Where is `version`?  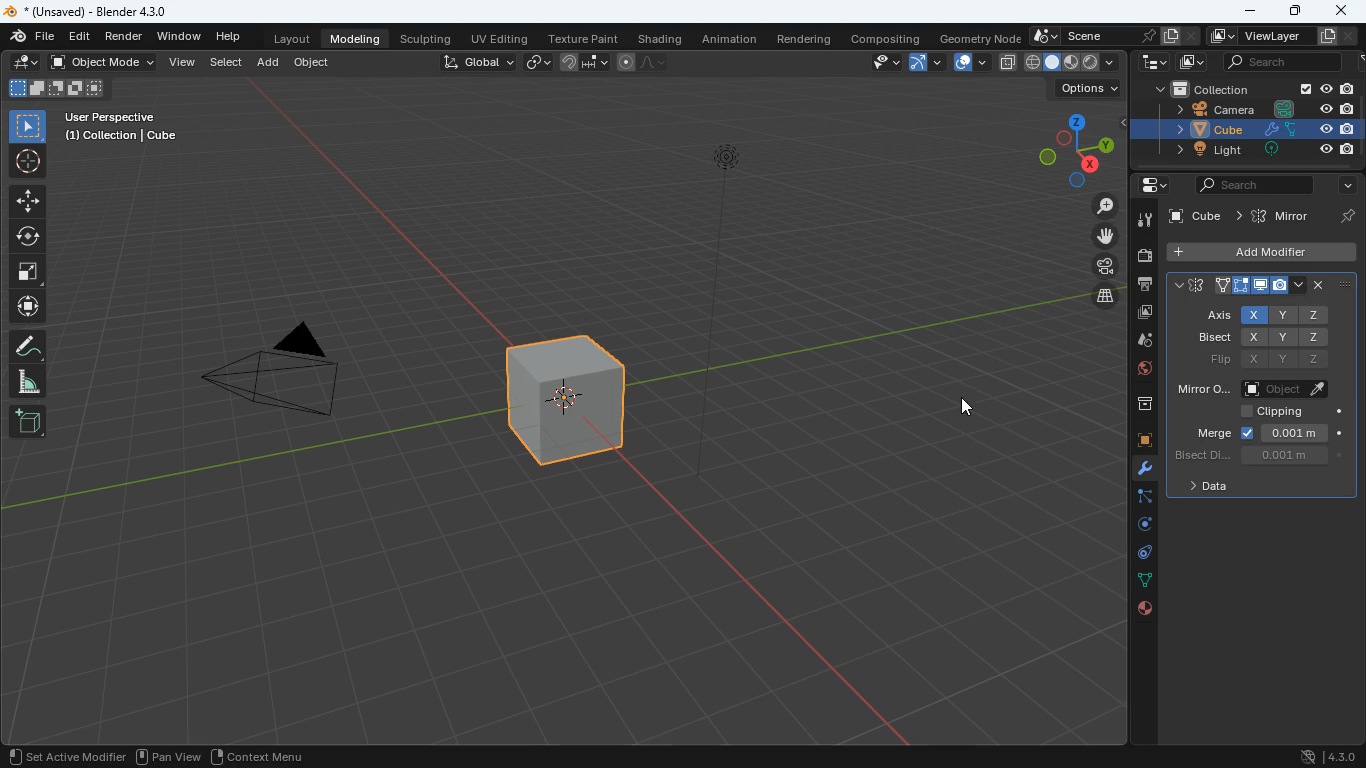 version is located at coordinates (1331, 756).